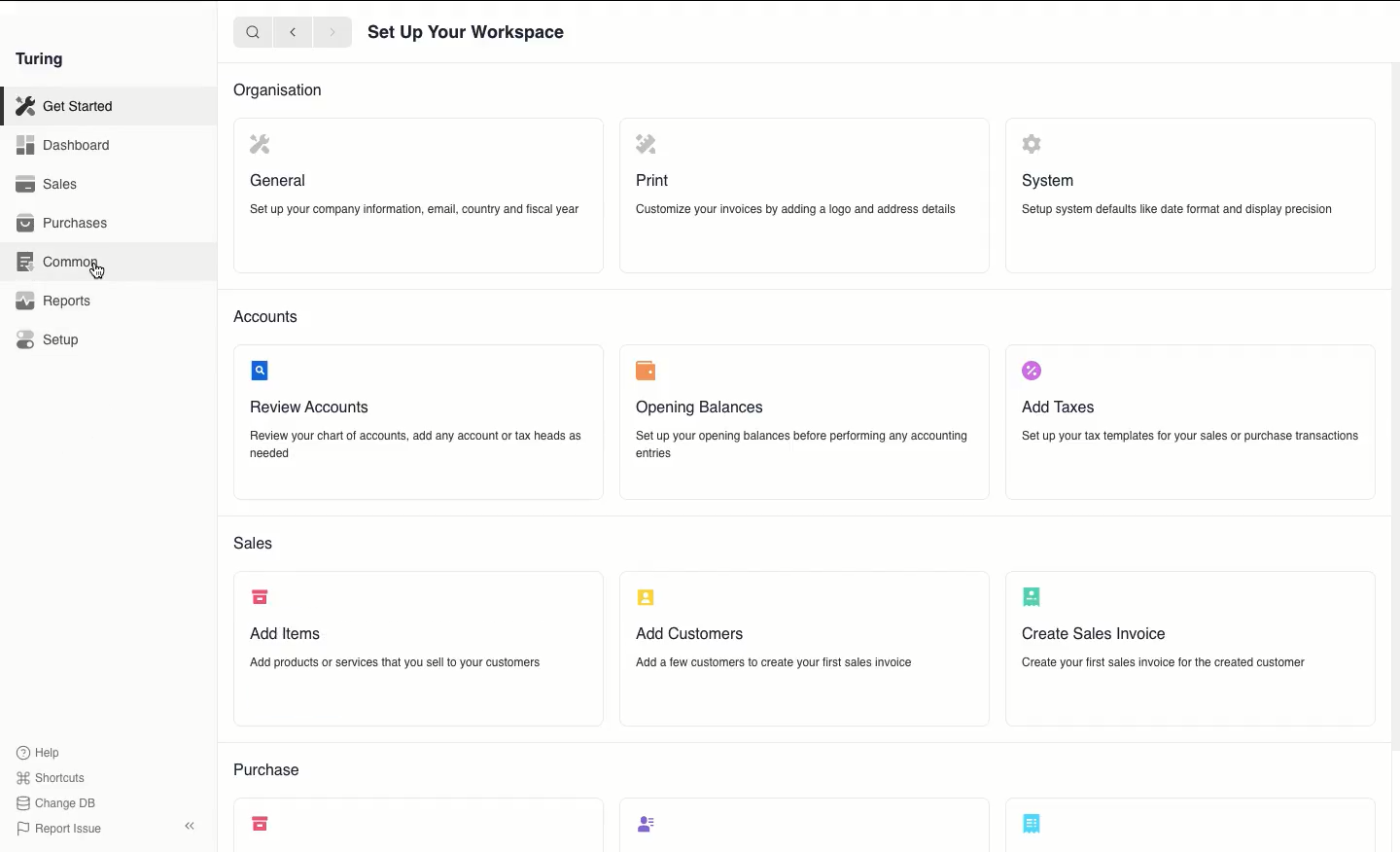 Image resolution: width=1400 pixels, height=852 pixels. What do you see at coordinates (59, 262) in the screenshot?
I see `Common` at bounding box center [59, 262].